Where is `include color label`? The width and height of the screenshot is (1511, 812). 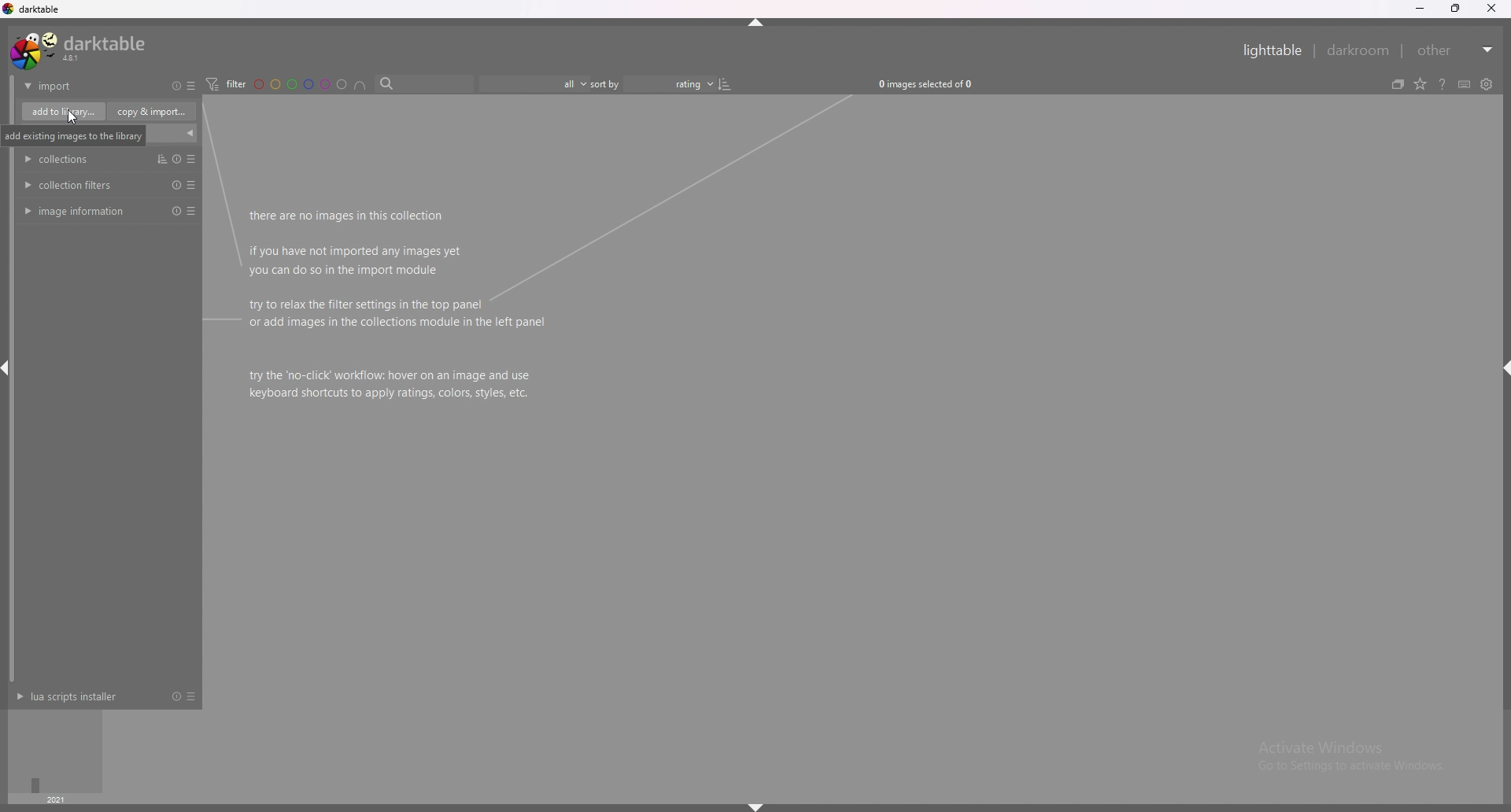
include color label is located at coordinates (360, 84).